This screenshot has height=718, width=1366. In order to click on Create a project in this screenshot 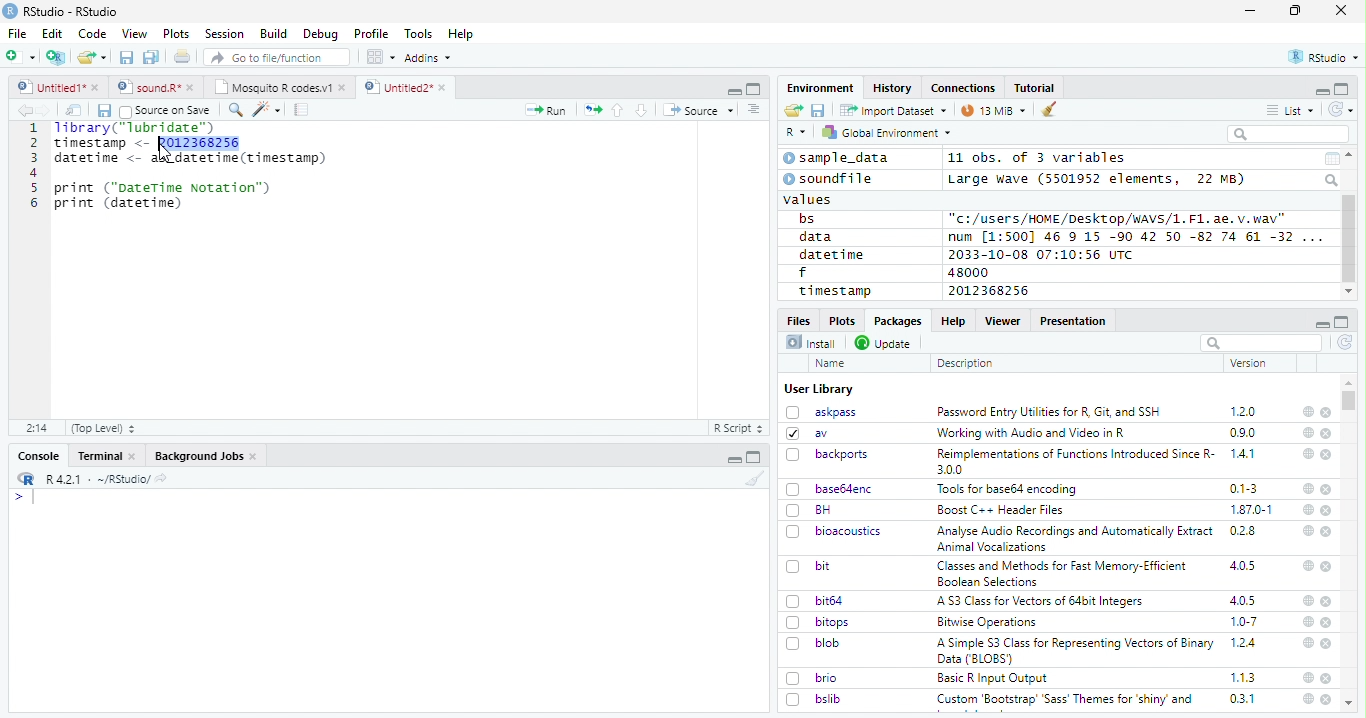, I will do `click(56, 57)`.